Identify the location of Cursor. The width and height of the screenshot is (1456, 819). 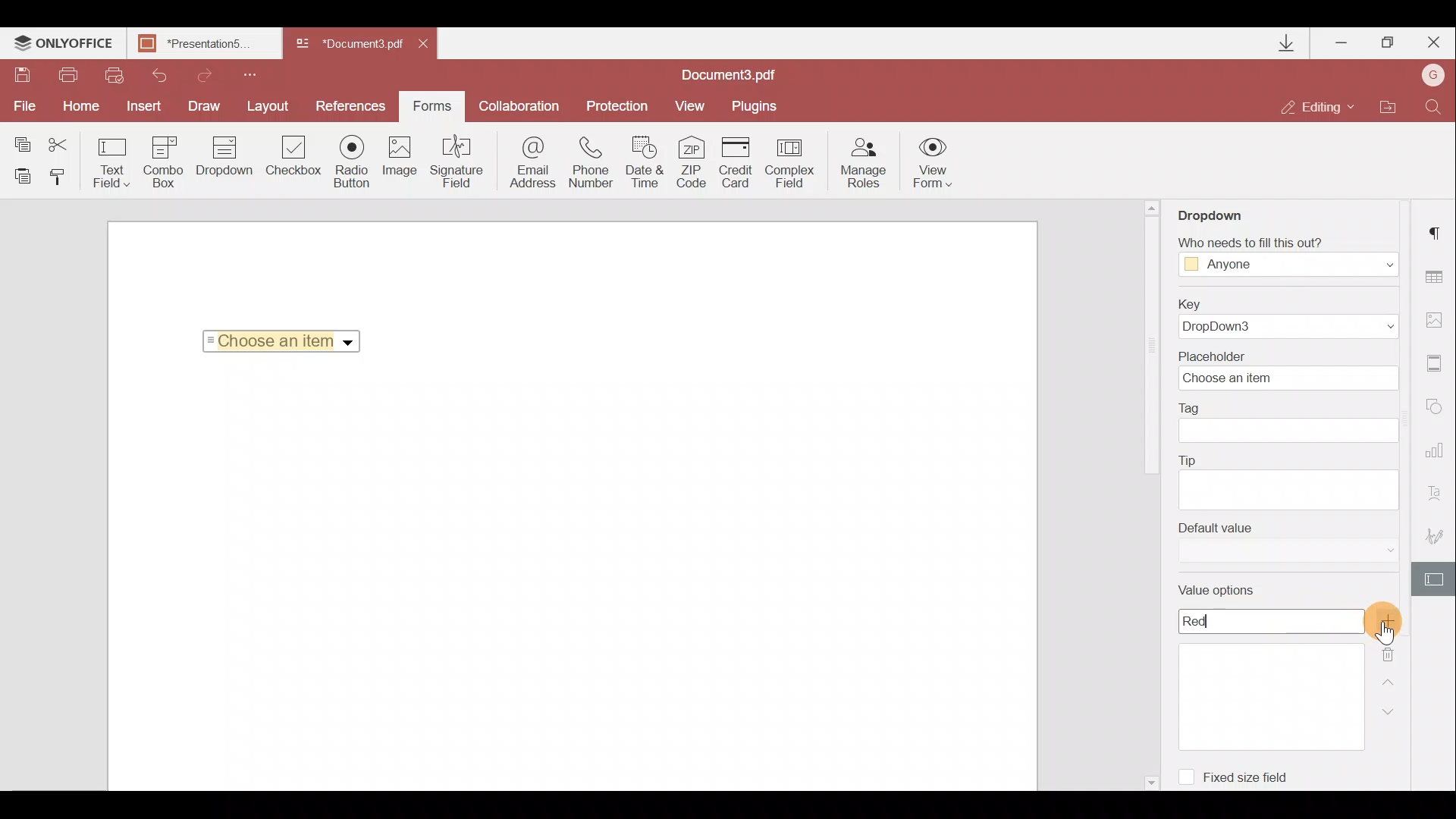
(1384, 634).